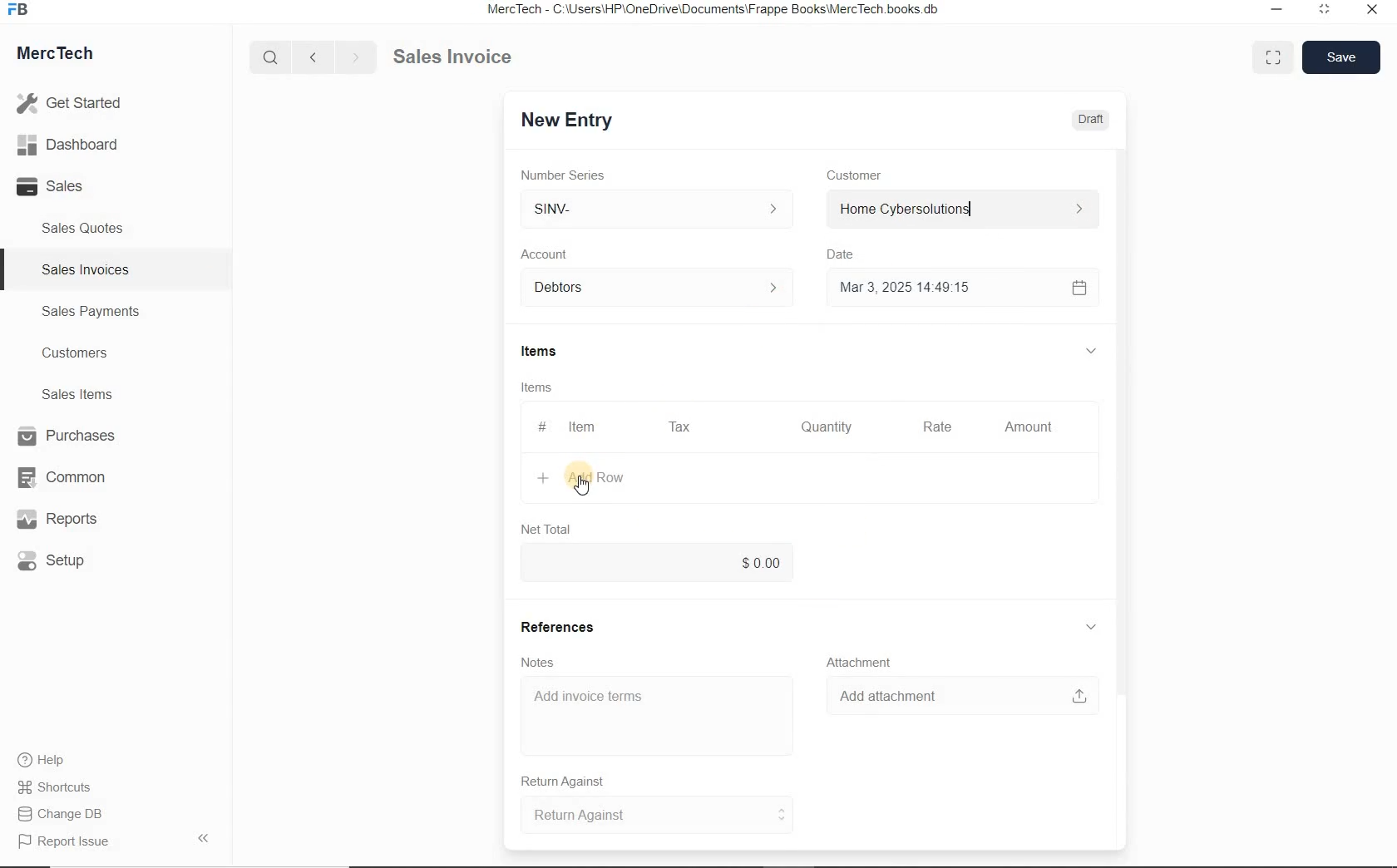  I want to click on Calendar, so click(1078, 289).